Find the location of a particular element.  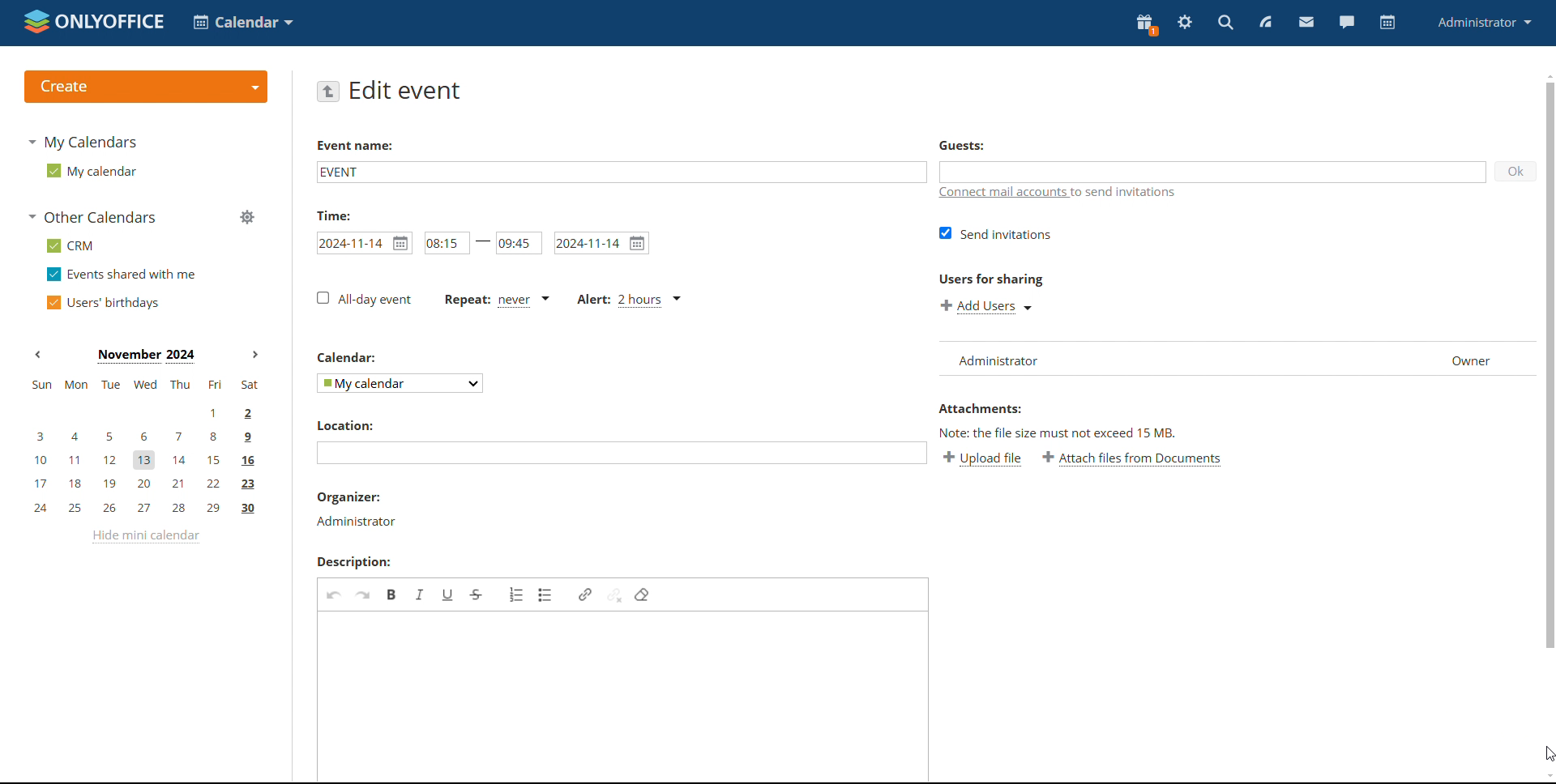

events shared with me is located at coordinates (120, 275).